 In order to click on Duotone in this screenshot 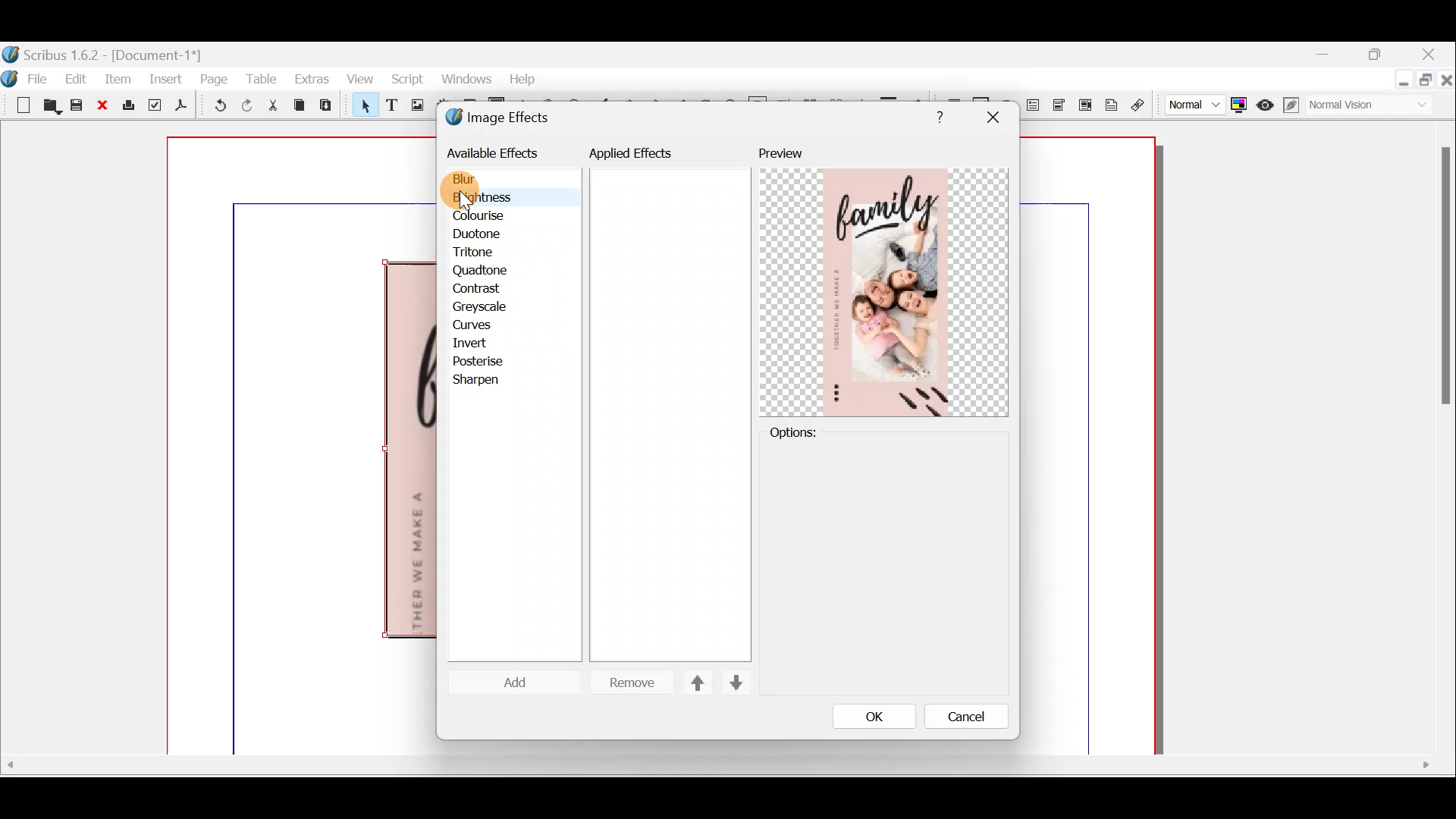, I will do `click(480, 236)`.